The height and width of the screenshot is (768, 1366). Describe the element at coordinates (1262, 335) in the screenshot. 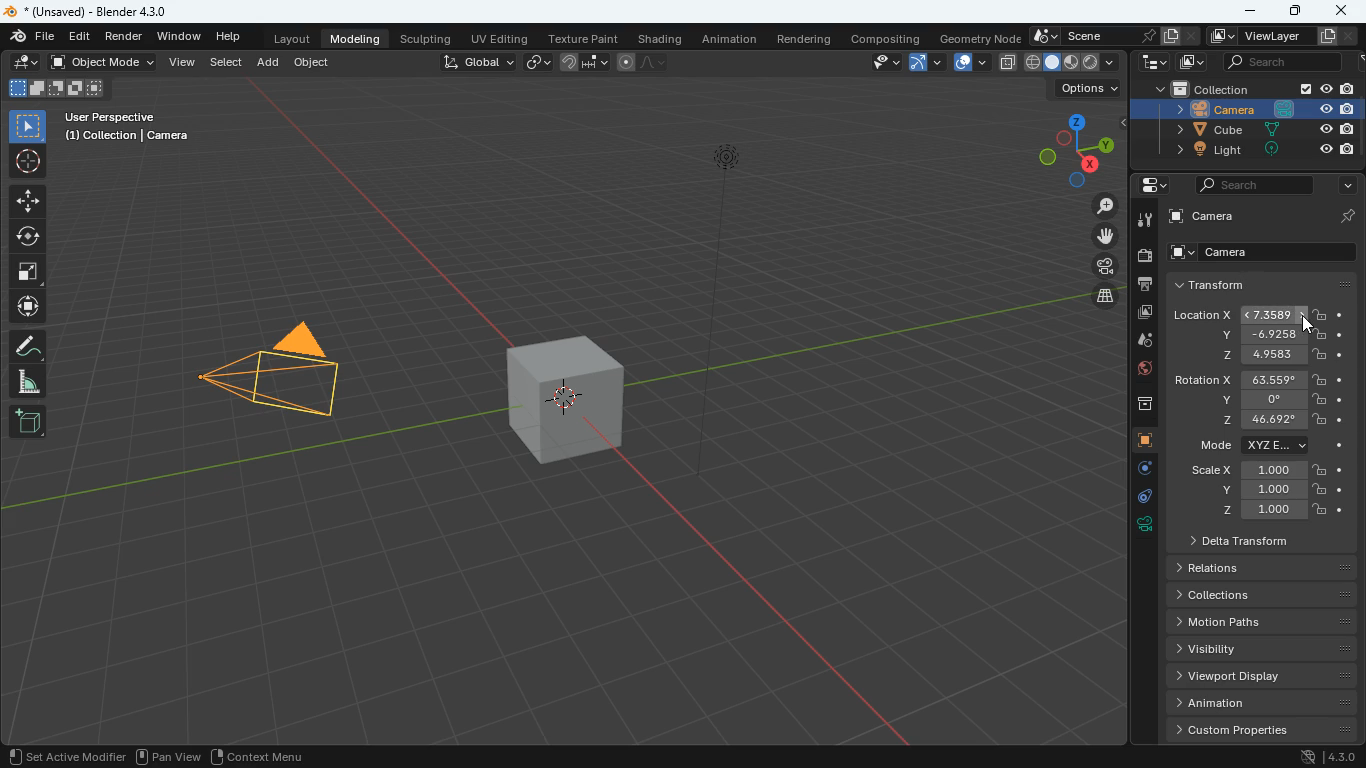

I see `y` at that location.